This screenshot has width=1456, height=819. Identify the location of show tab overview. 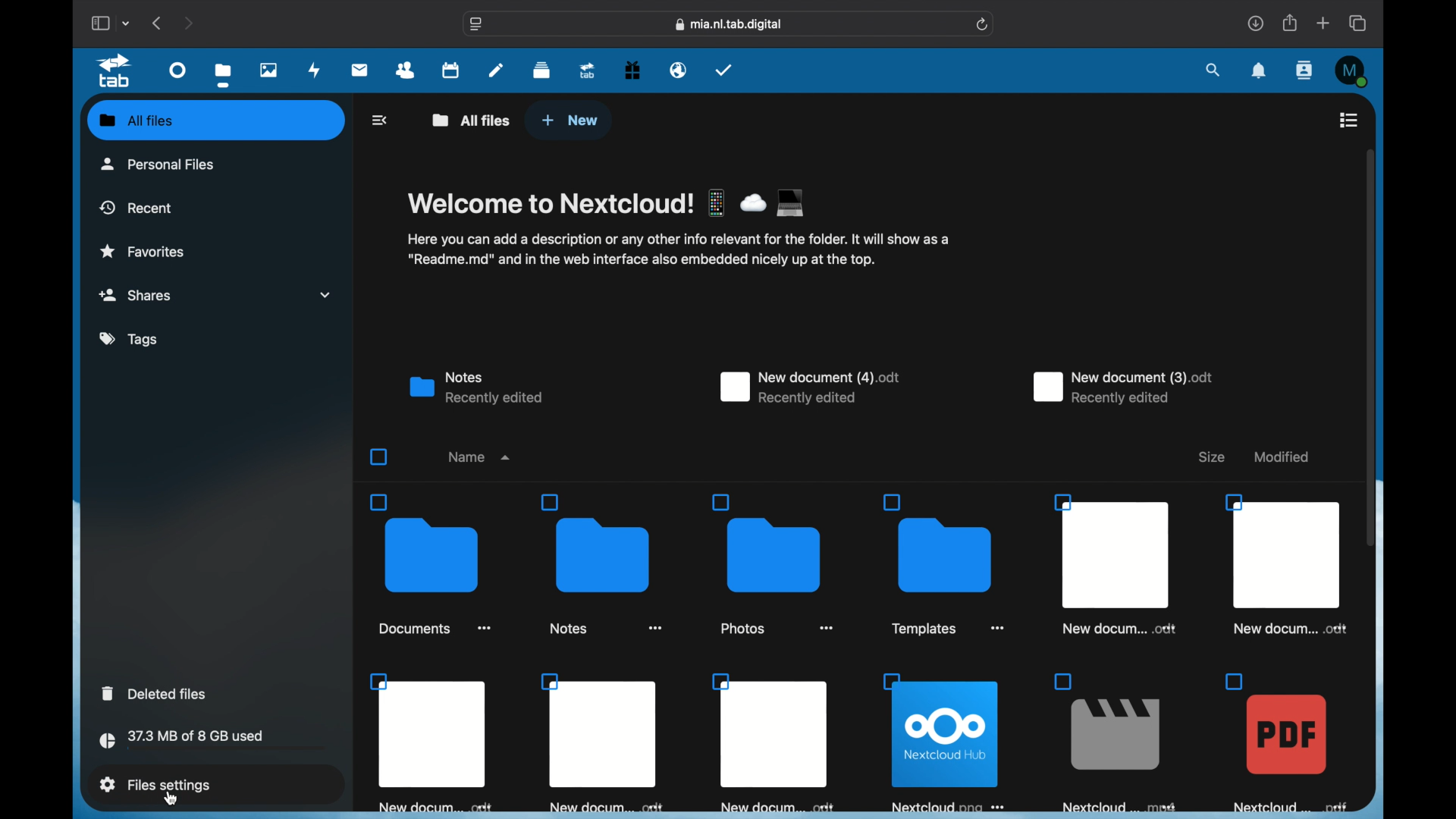
(1357, 23).